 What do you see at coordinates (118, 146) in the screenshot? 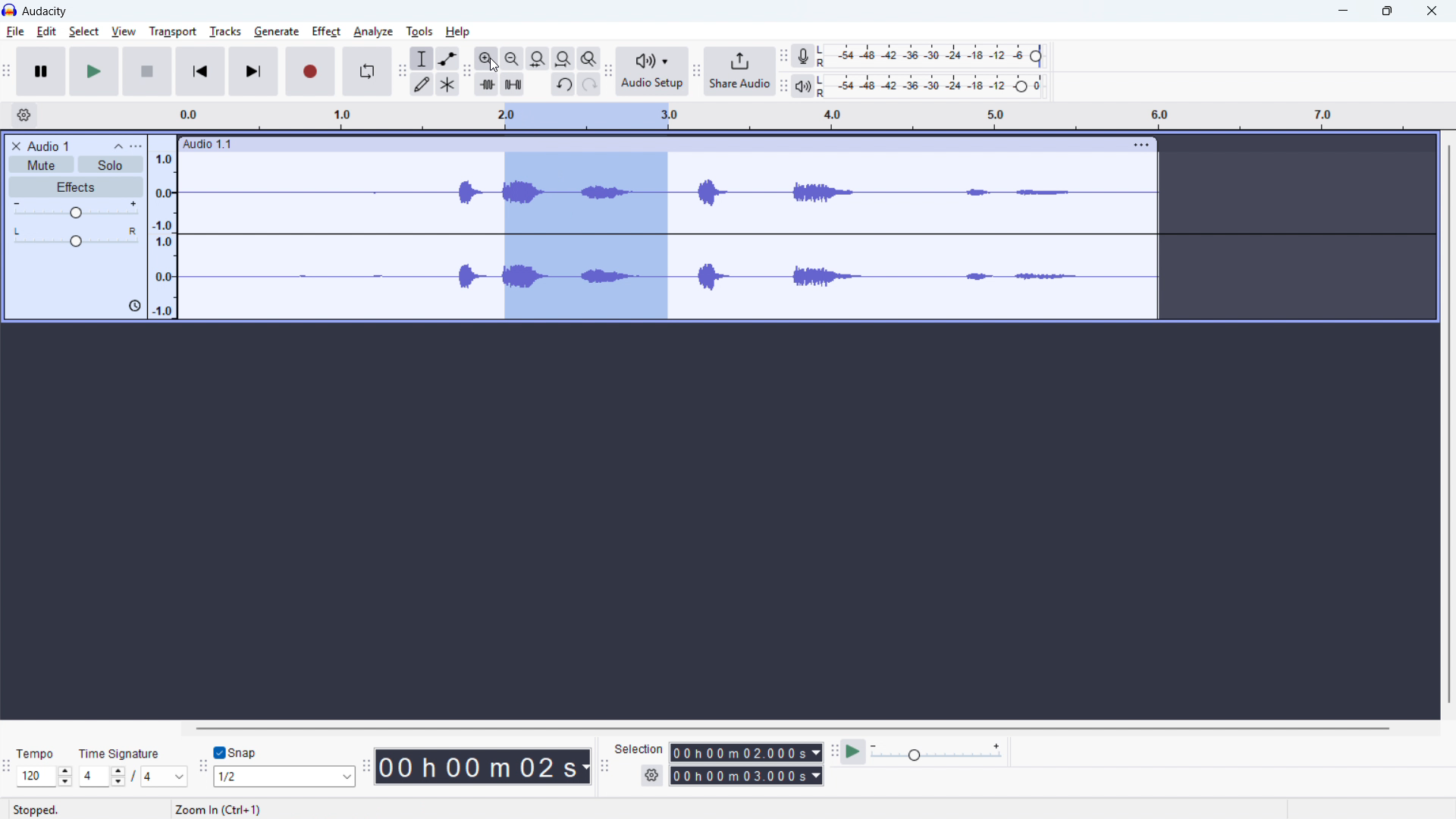
I see `Collapse` at bounding box center [118, 146].